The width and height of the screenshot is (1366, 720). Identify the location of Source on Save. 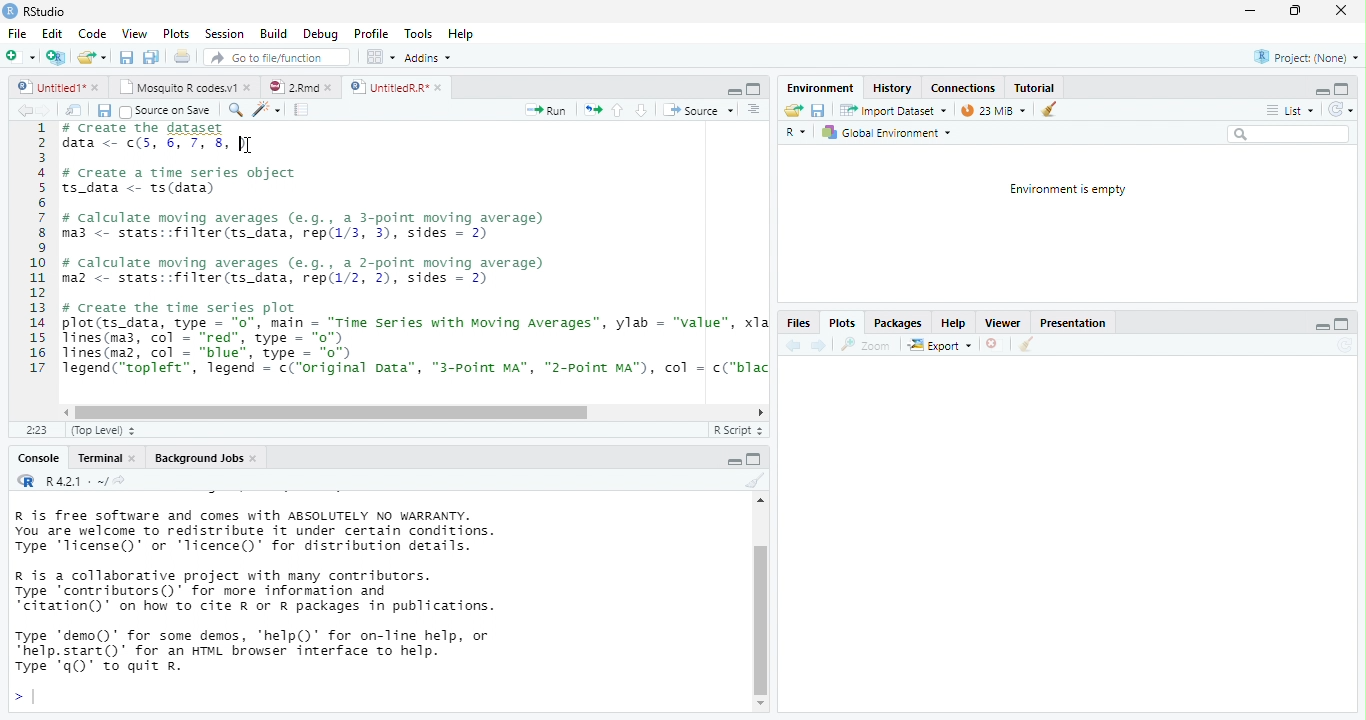
(164, 111).